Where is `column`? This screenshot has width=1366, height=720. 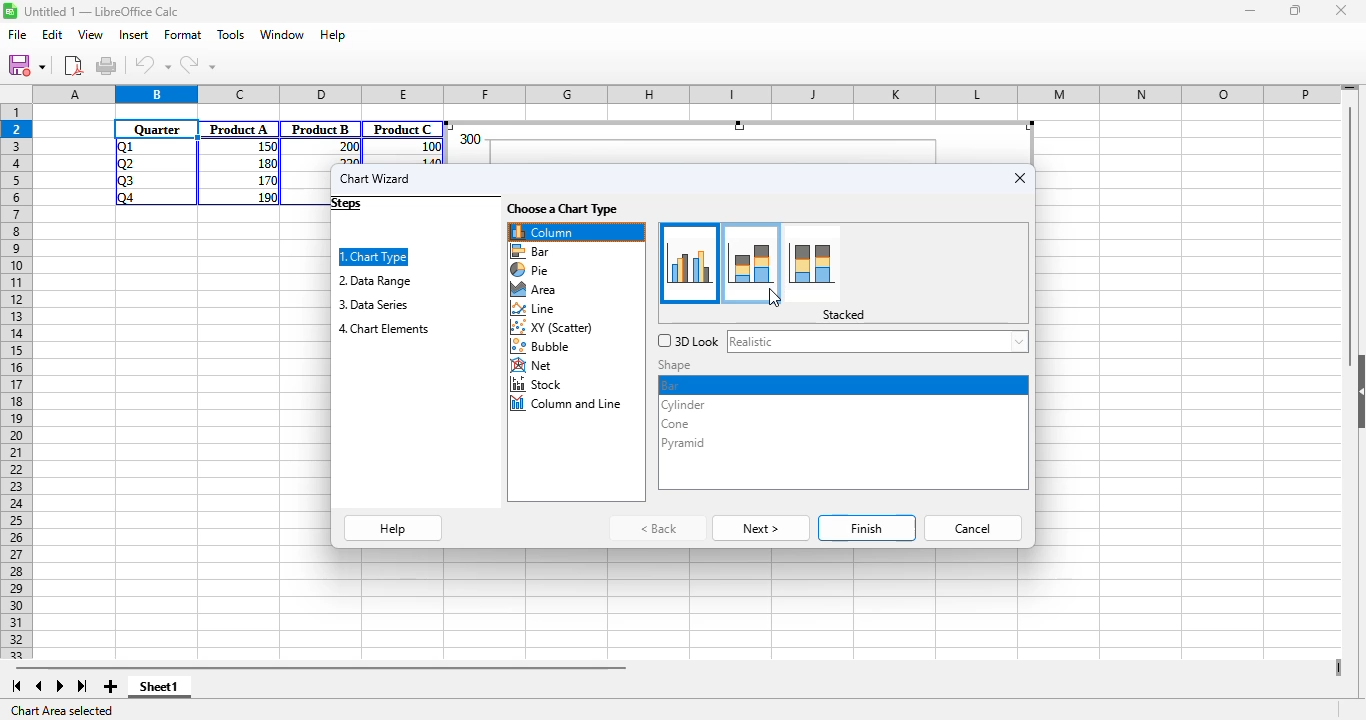 column is located at coordinates (576, 232).